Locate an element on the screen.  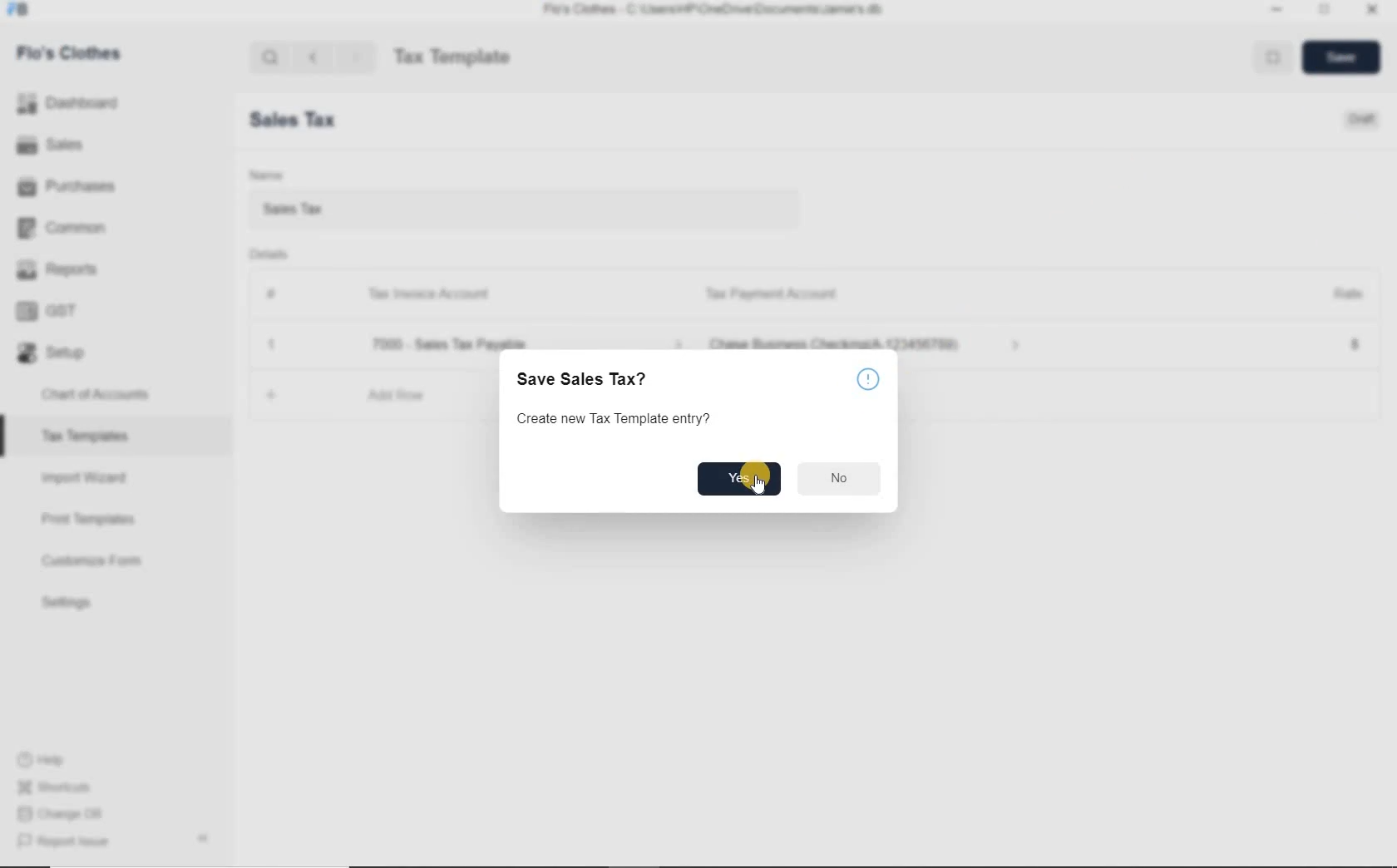
Yes is located at coordinates (740, 479).